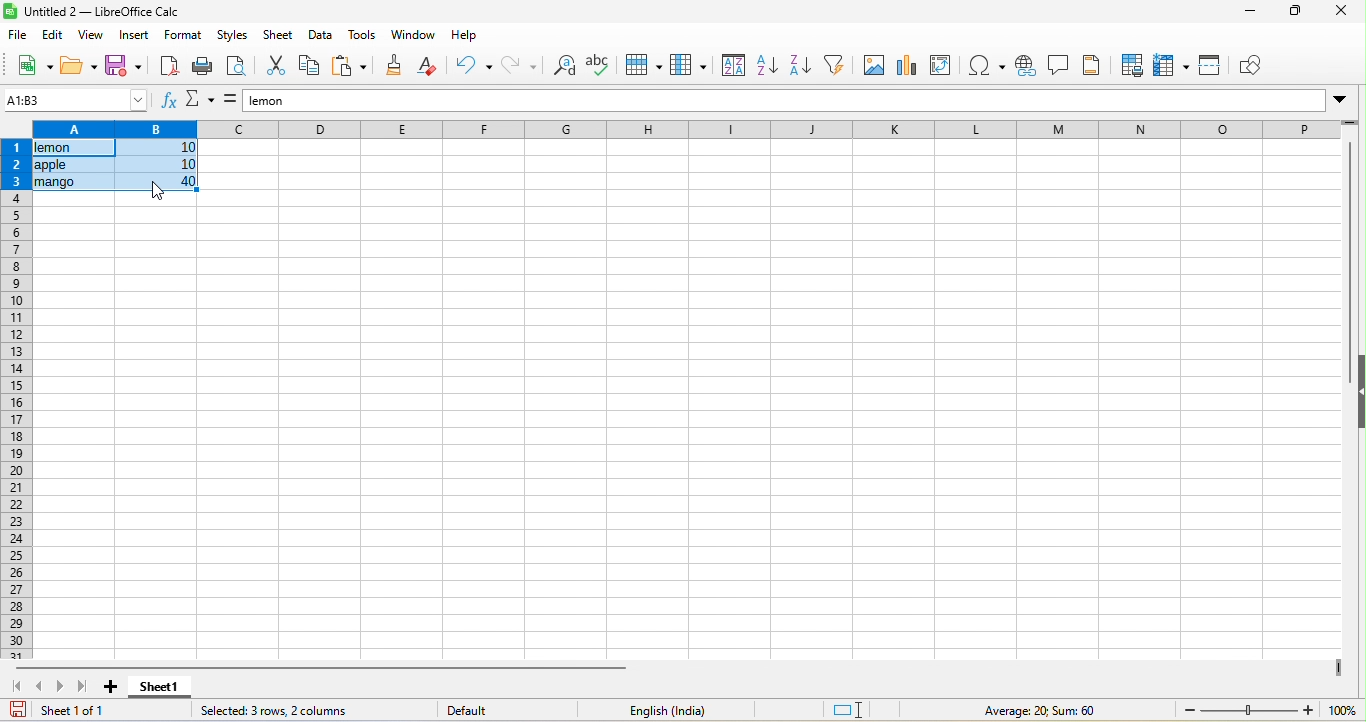 This screenshot has width=1366, height=722. I want to click on text language, so click(639, 710).